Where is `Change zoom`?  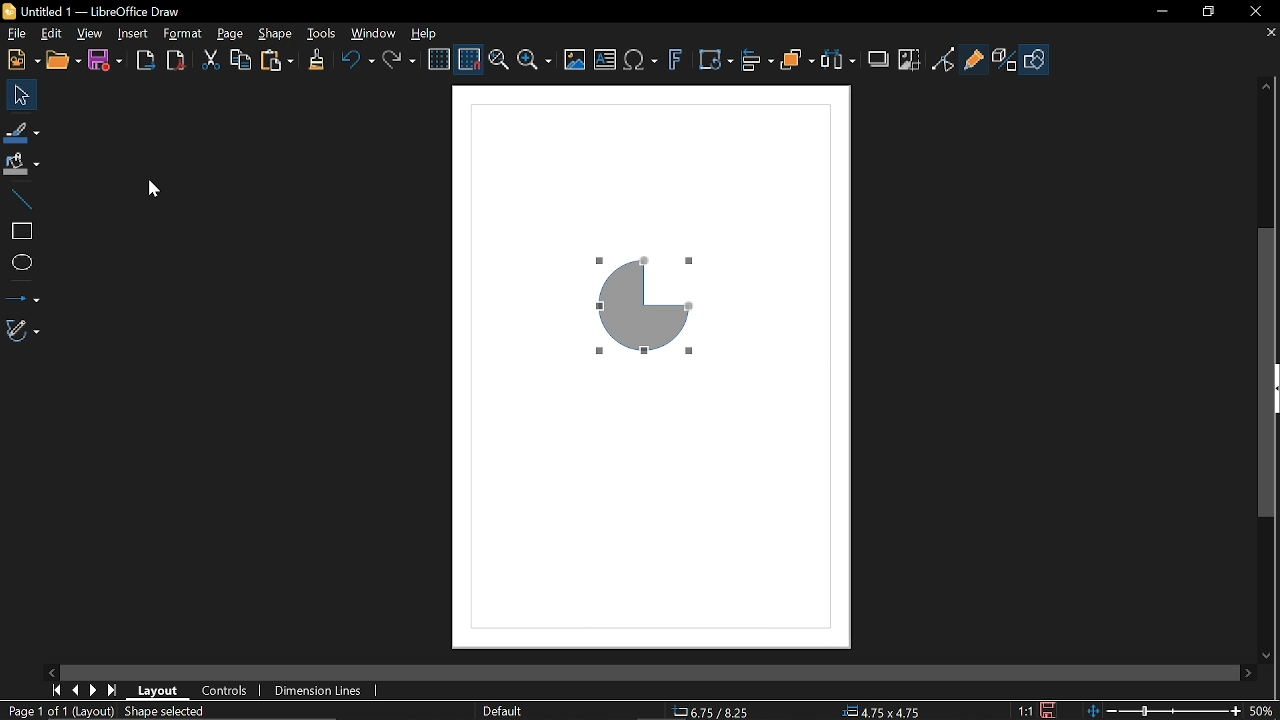 Change zoom is located at coordinates (1162, 711).